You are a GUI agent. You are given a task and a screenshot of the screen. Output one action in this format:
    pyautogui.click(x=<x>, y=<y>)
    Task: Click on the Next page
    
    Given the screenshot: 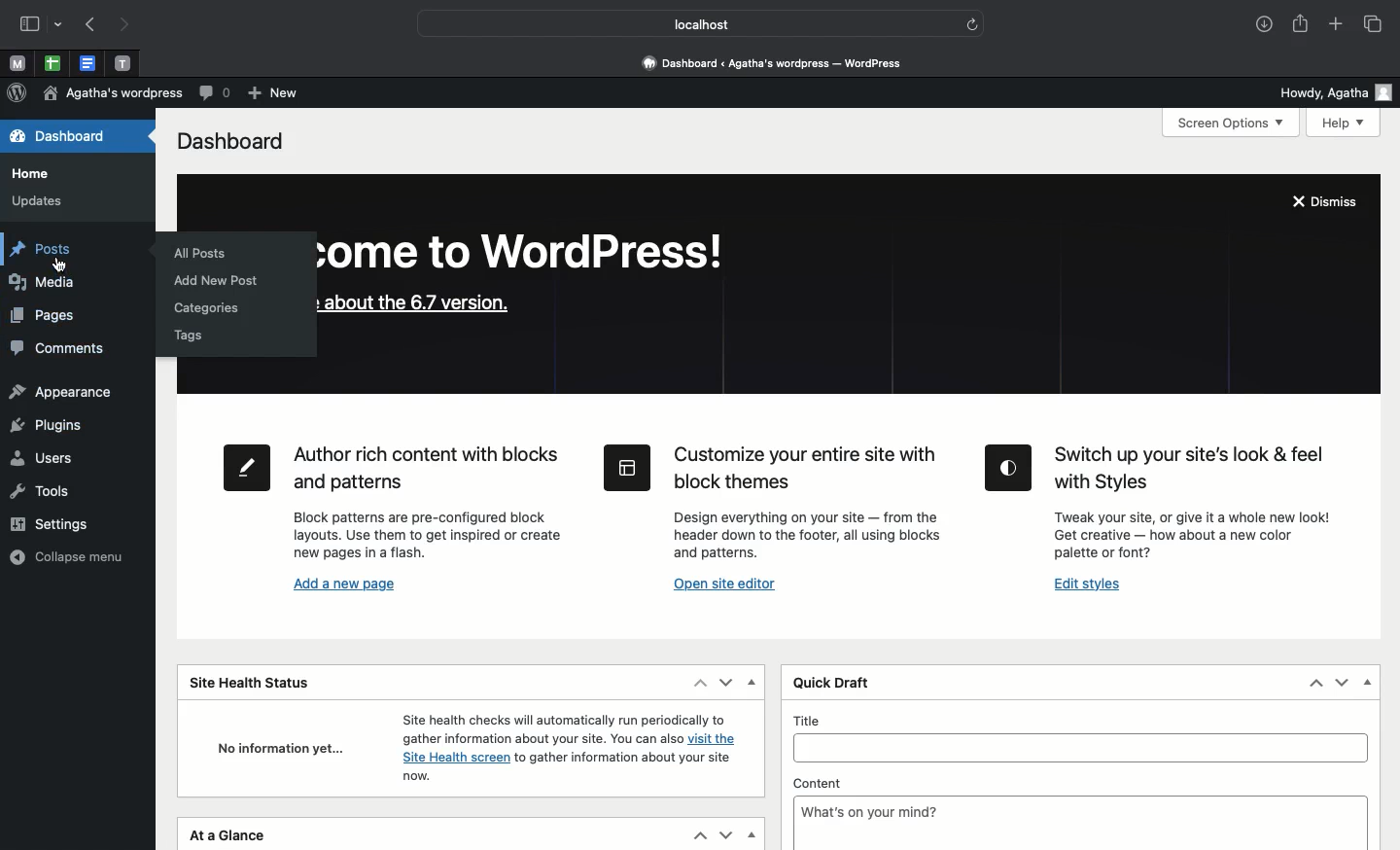 What is the action you would take?
    pyautogui.click(x=130, y=25)
    